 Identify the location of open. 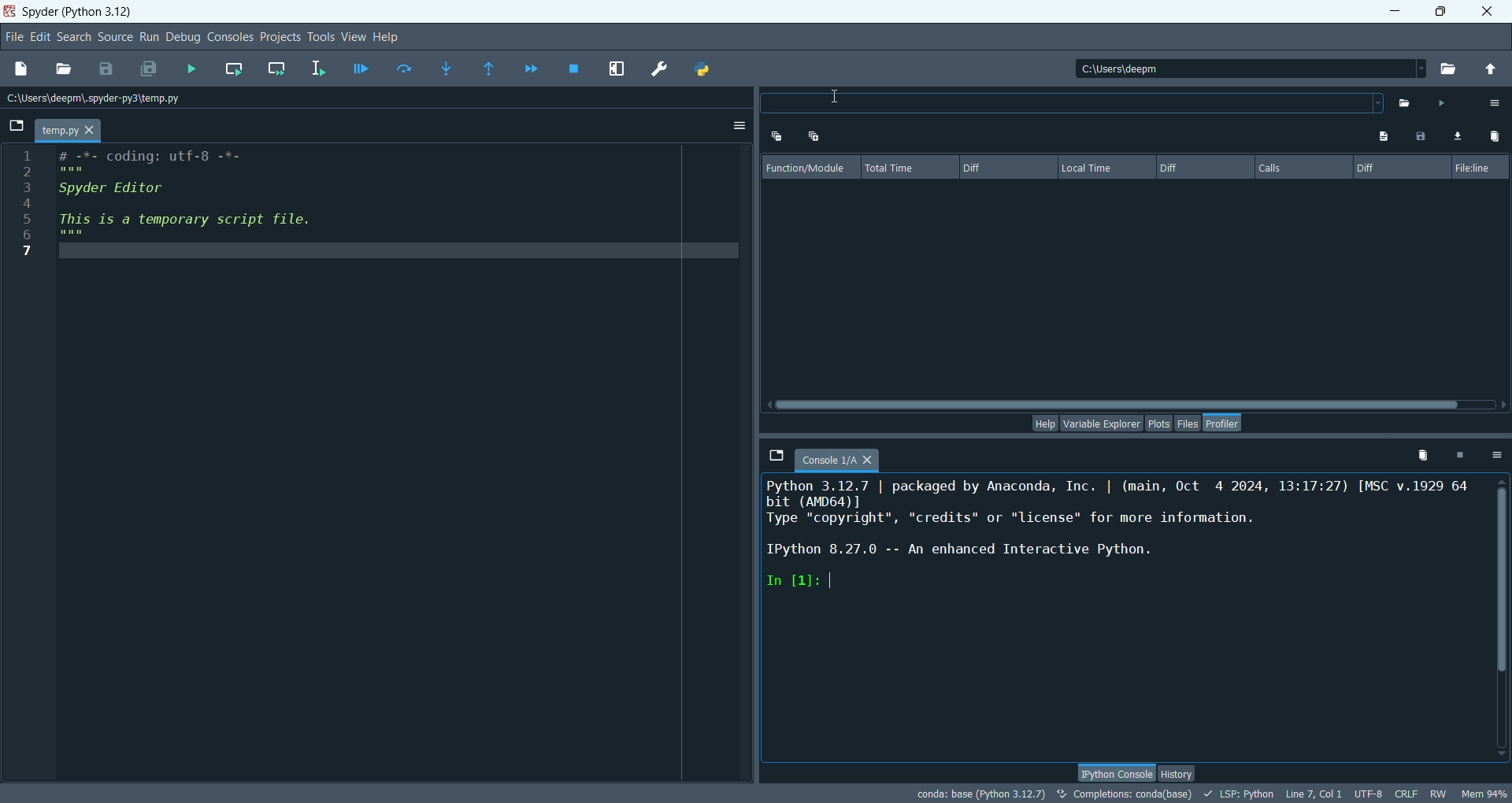
(68, 68).